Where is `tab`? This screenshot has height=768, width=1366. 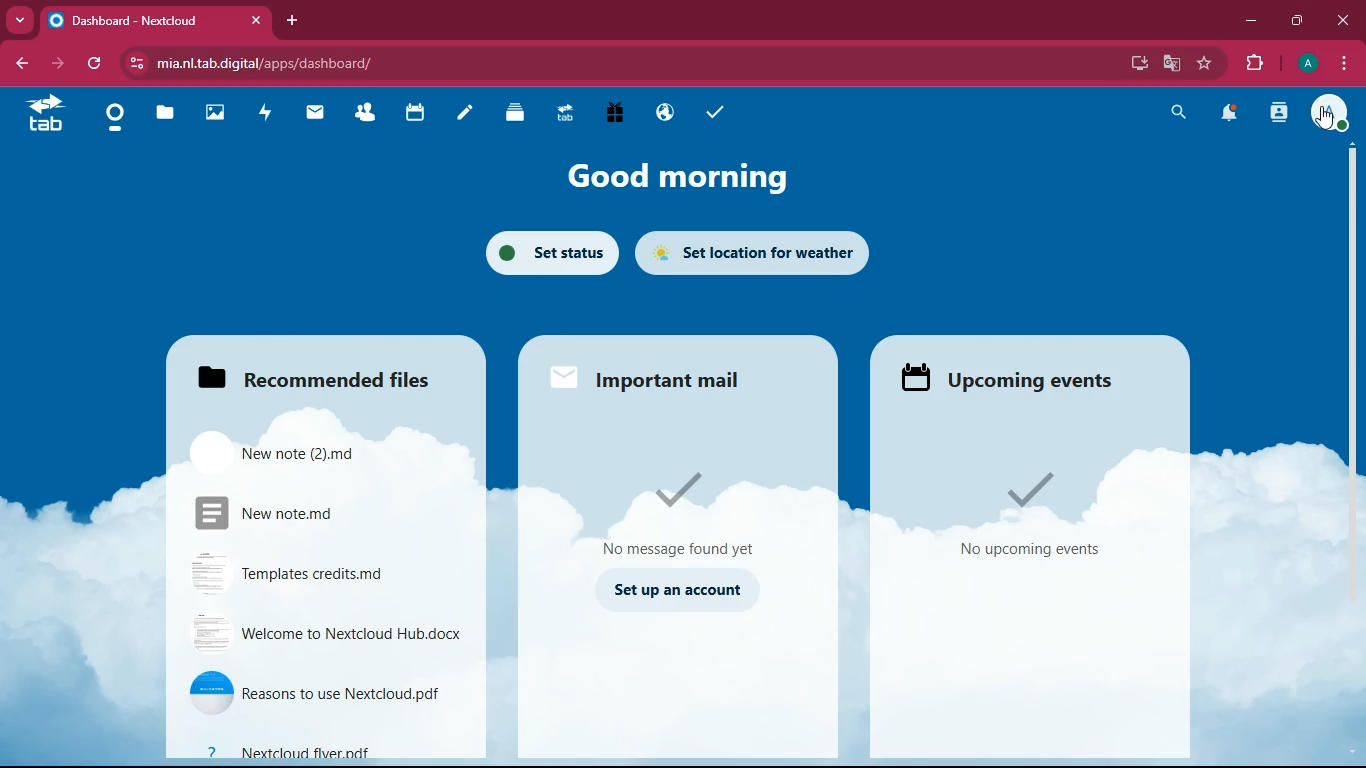 tab is located at coordinates (41, 118).